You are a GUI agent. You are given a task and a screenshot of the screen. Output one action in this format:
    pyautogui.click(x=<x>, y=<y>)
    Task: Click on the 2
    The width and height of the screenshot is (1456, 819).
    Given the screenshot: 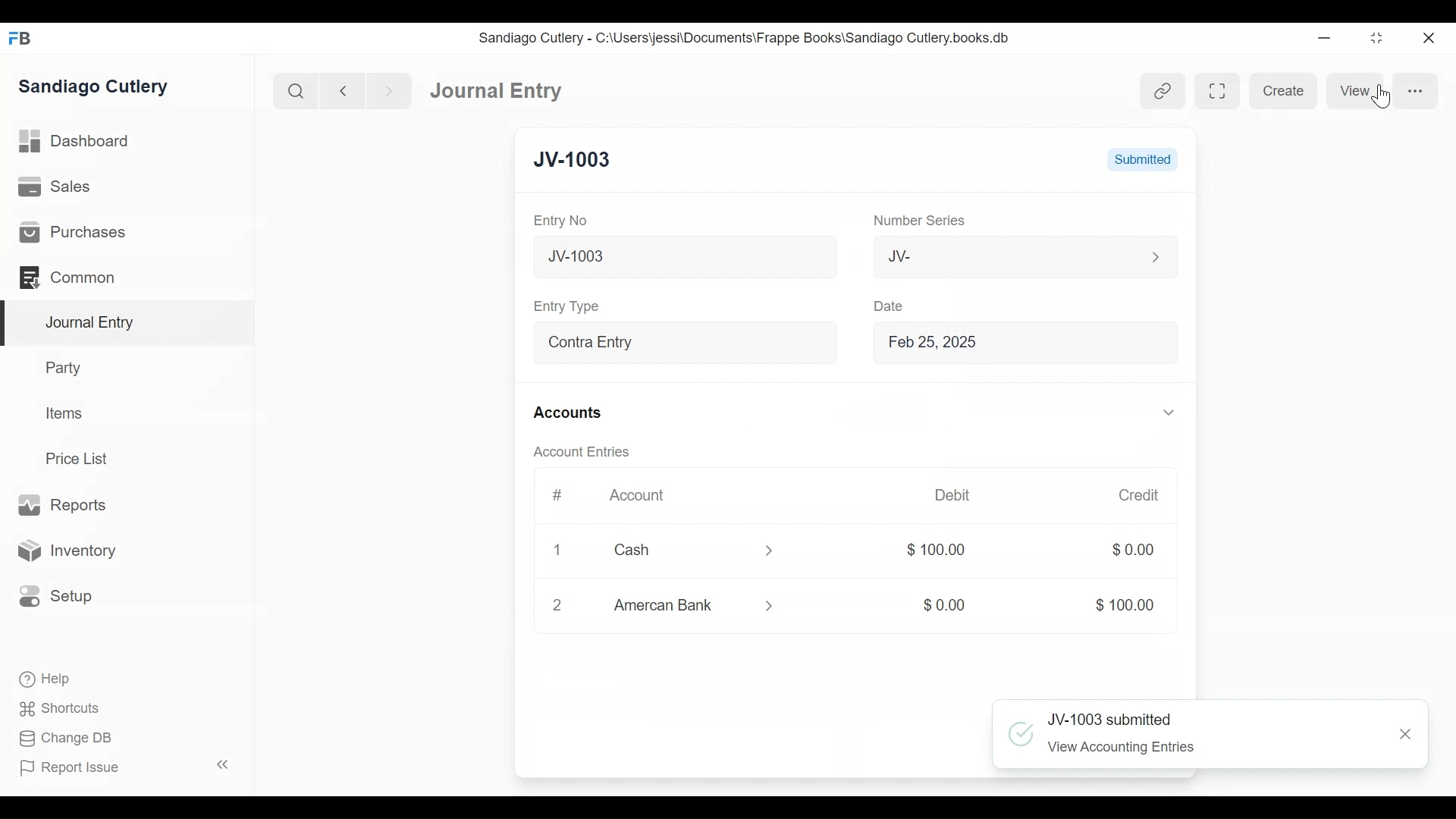 What is the action you would take?
    pyautogui.click(x=557, y=605)
    